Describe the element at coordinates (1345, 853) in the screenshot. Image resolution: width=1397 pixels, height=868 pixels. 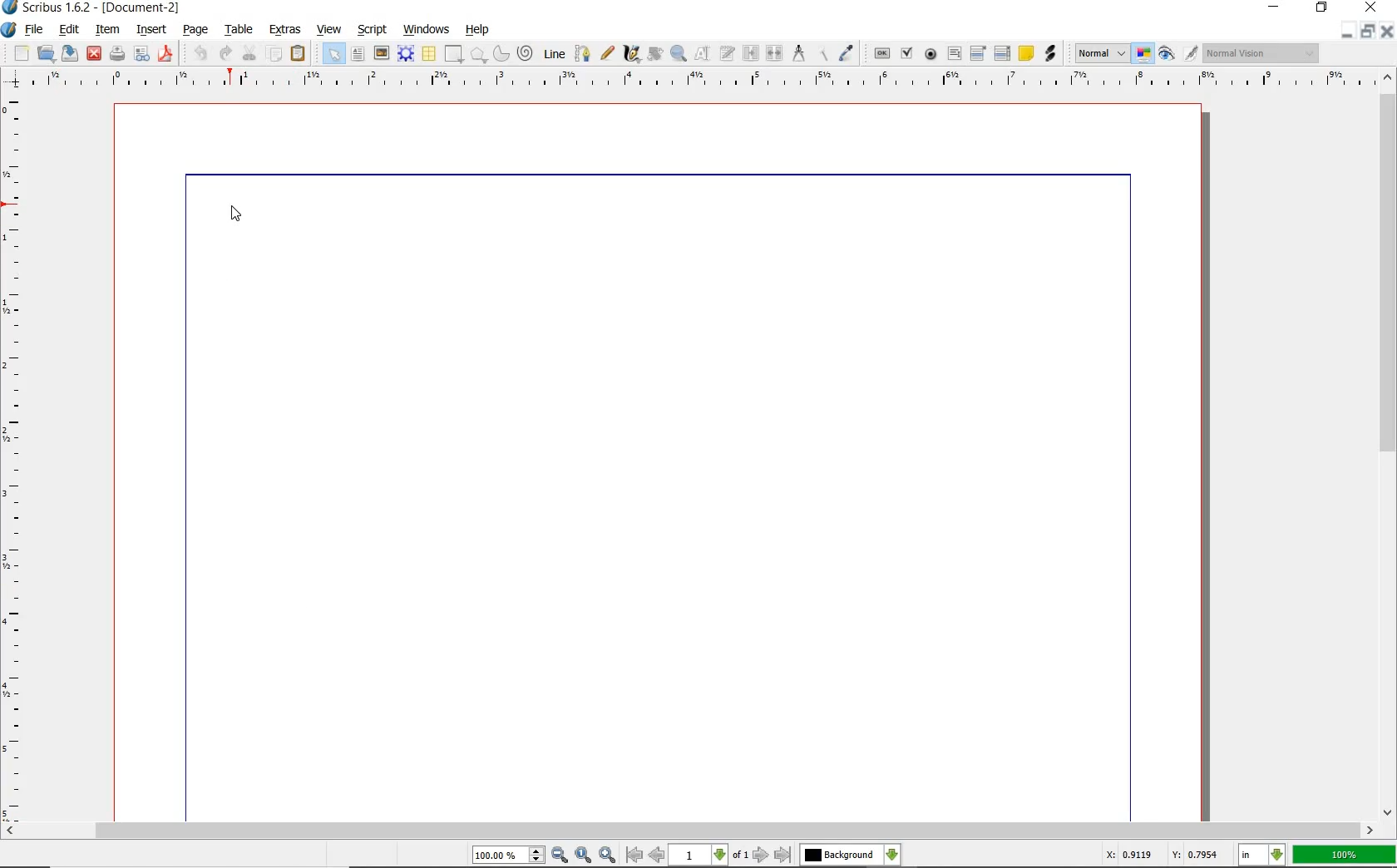
I see `100%` at that location.